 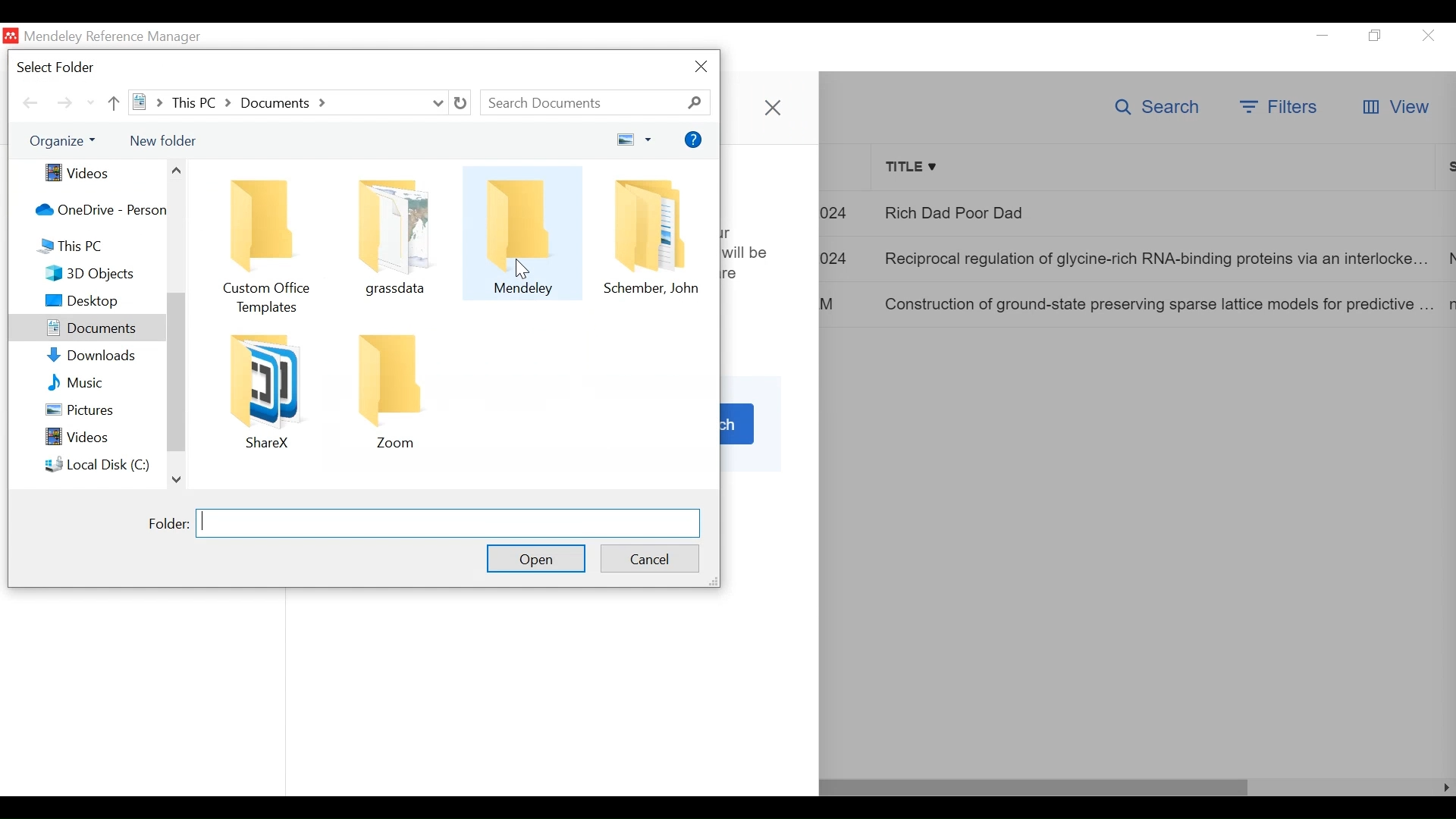 What do you see at coordinates (102, 356) in the screenshot?
I see `Downloads` at bounding box center [102, 356].